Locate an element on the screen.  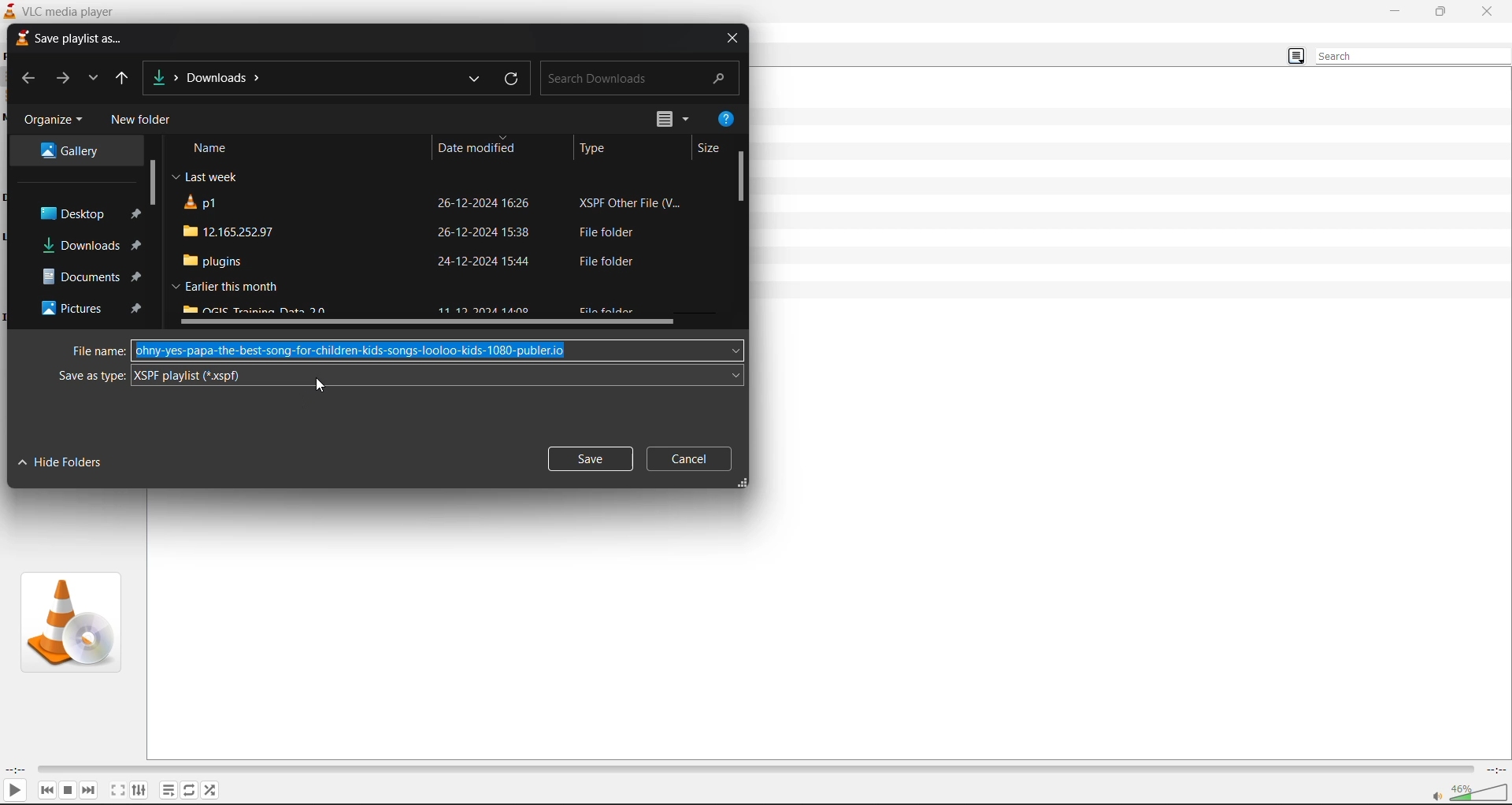
VLC Media player is located at coordinates (57, 10).